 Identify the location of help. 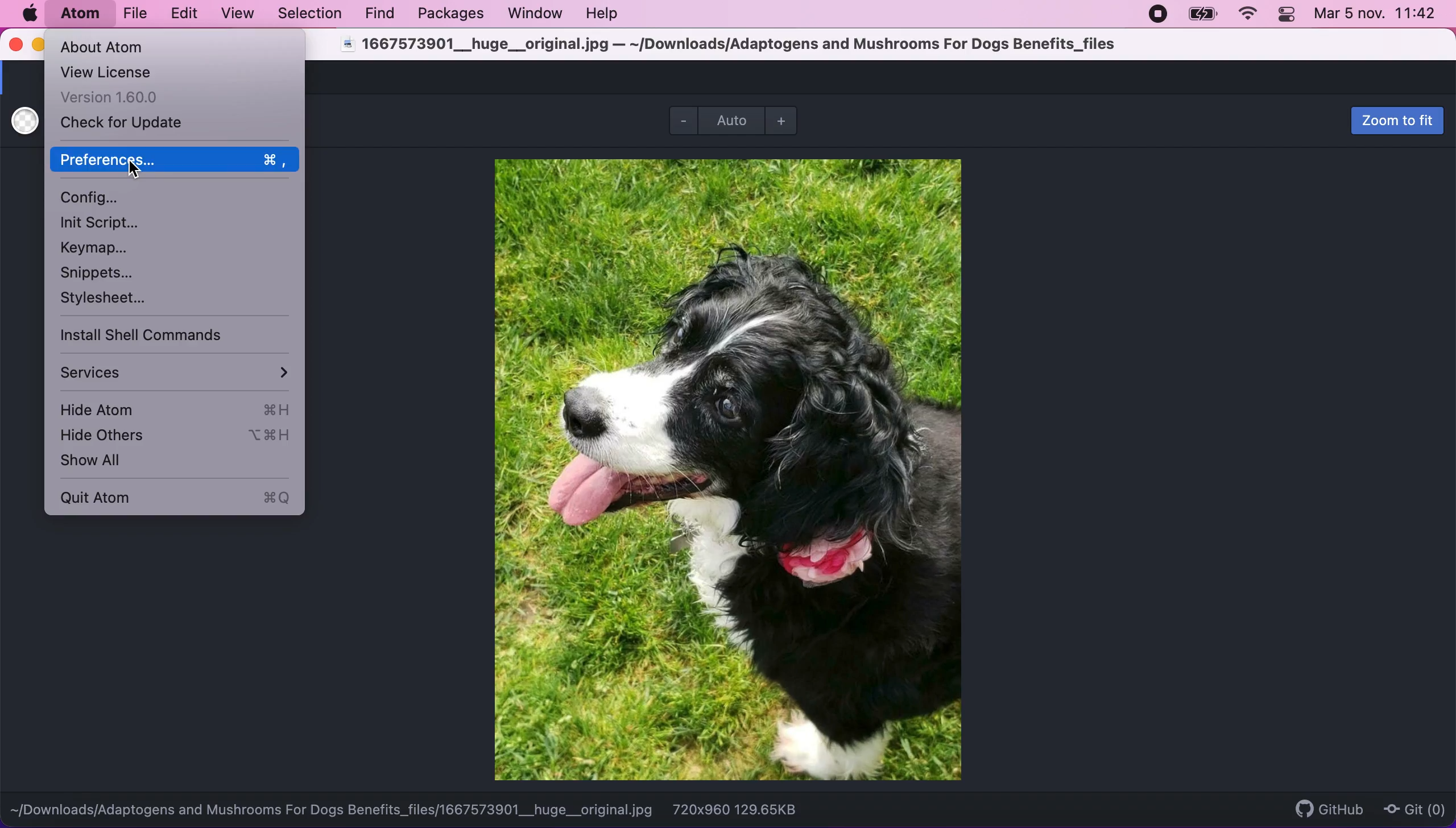
(609, 15).